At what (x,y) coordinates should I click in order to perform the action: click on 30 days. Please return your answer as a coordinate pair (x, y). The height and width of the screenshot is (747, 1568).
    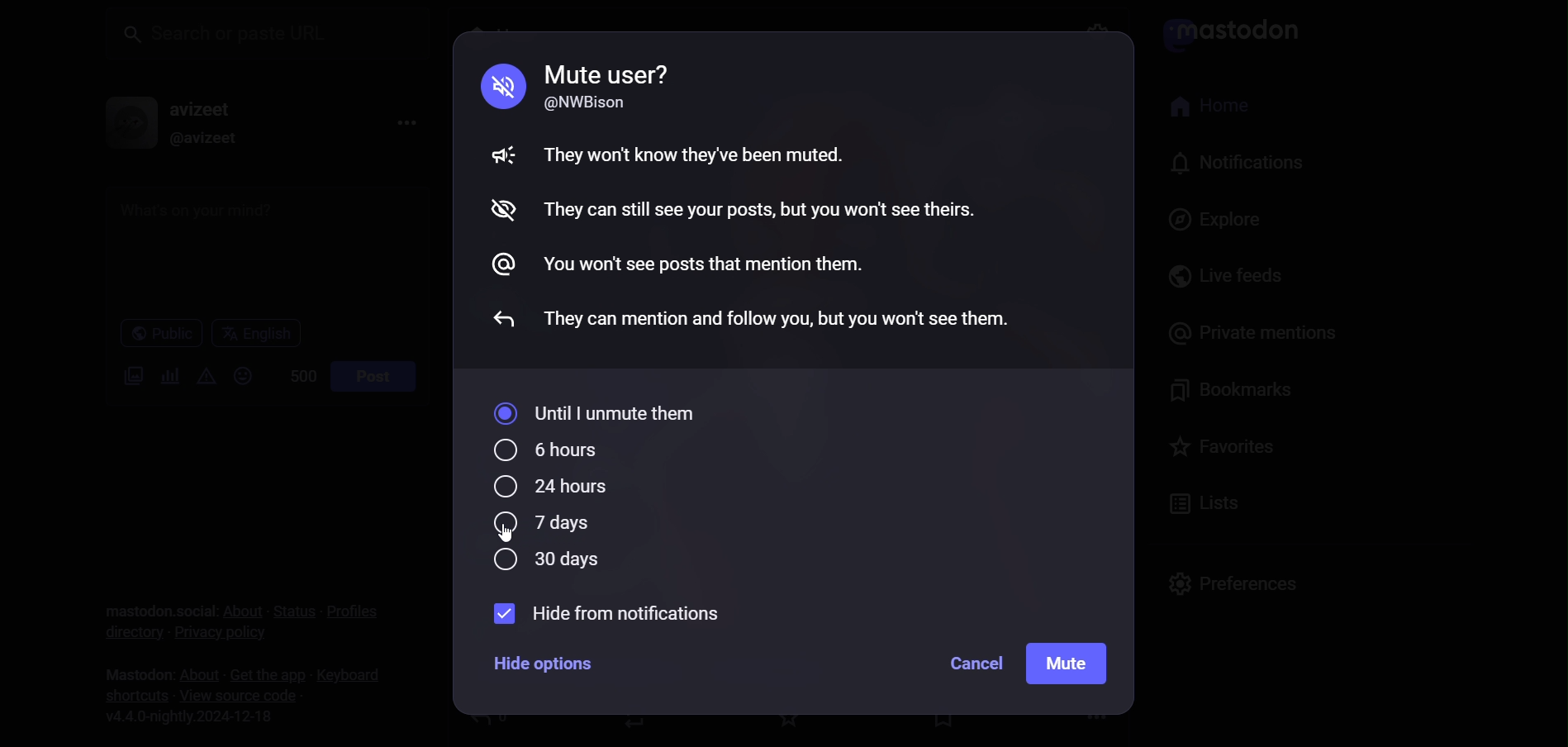
    Looking at the image, I should click on (549, 563).